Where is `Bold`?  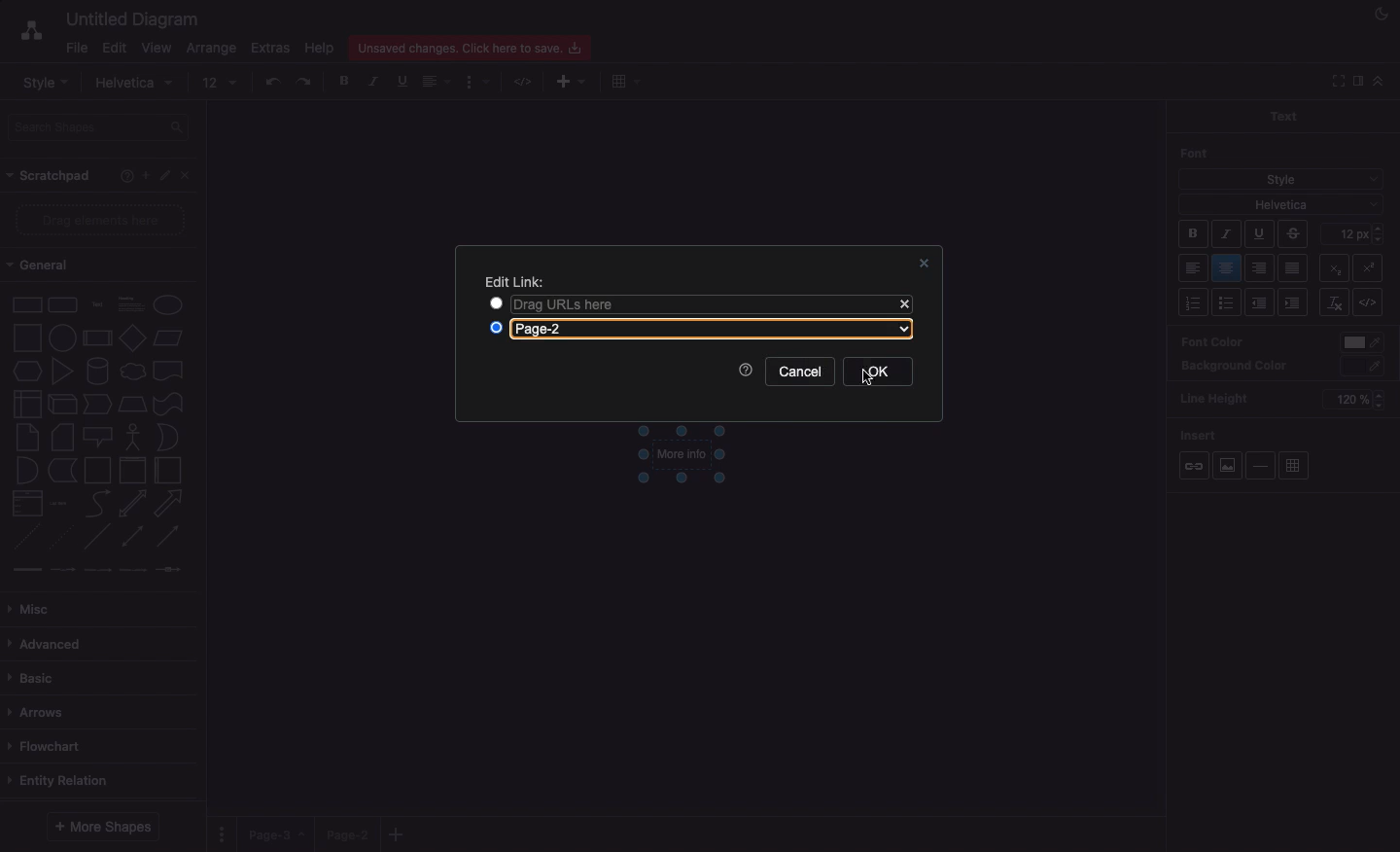 Bold is located at coordinates (345, 80).